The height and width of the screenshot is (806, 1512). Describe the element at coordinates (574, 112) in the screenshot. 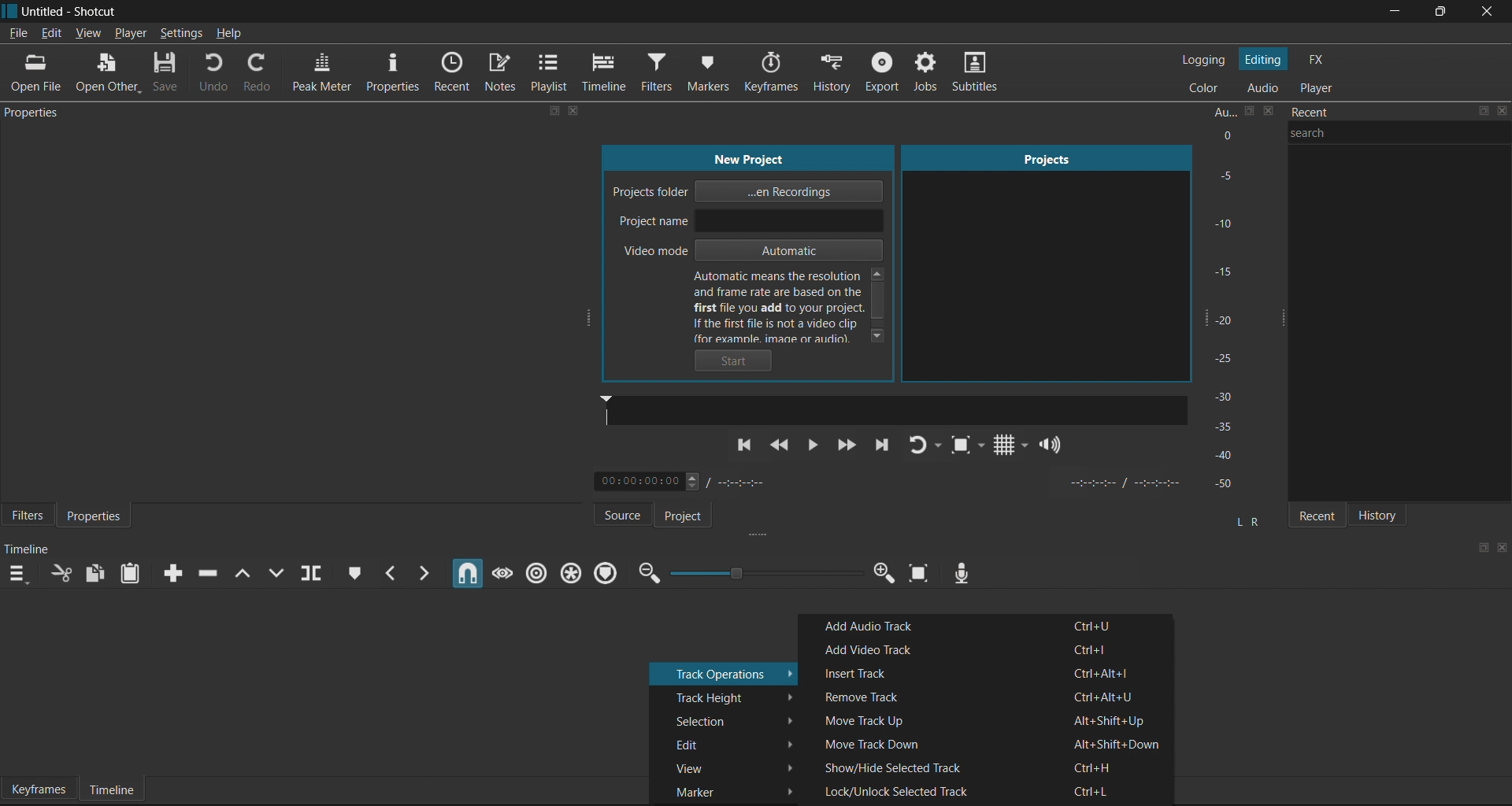

I see `close ` at that location.